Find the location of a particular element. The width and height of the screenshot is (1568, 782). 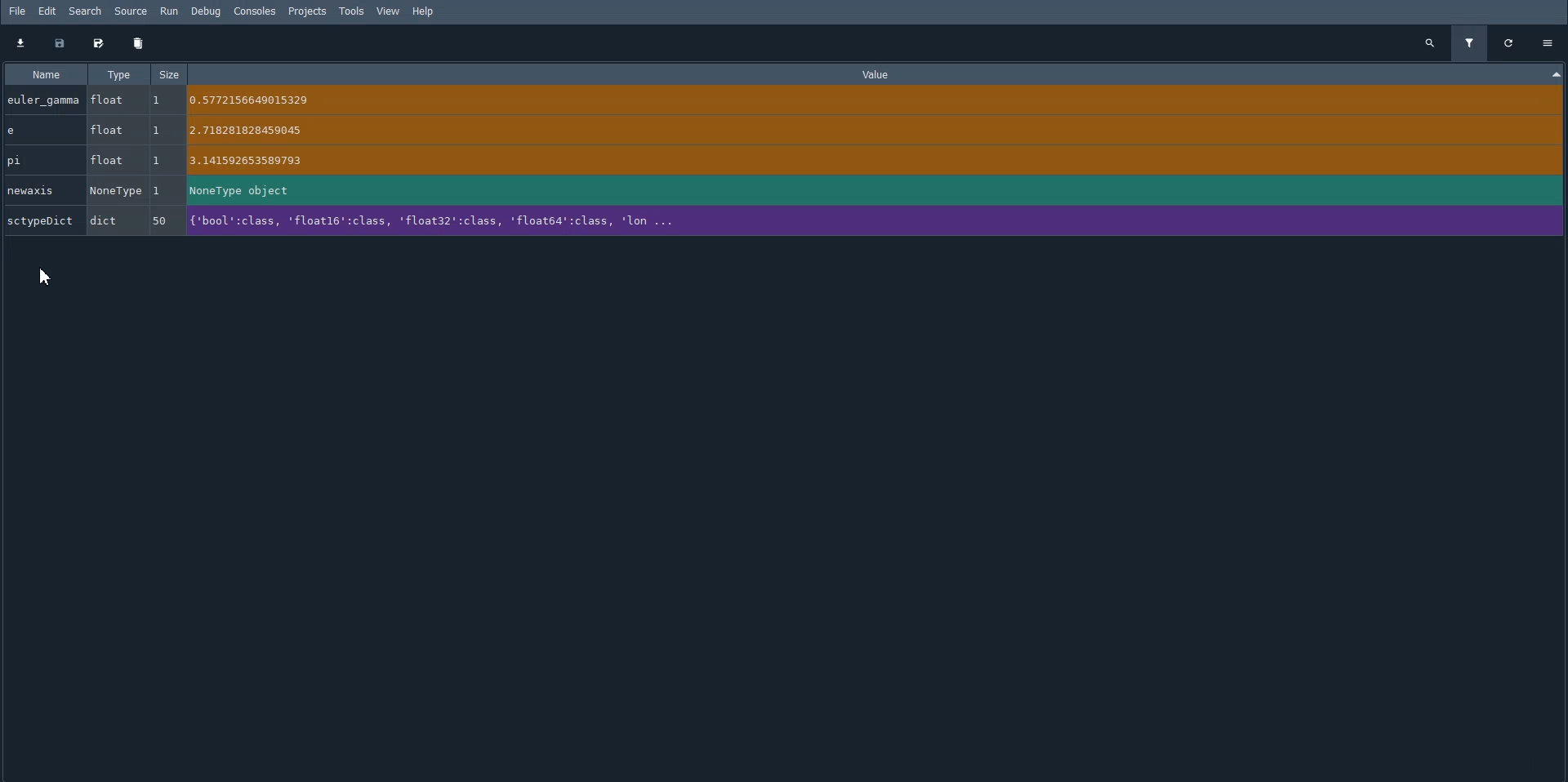

Consoles is located at coordinates (254, 11).